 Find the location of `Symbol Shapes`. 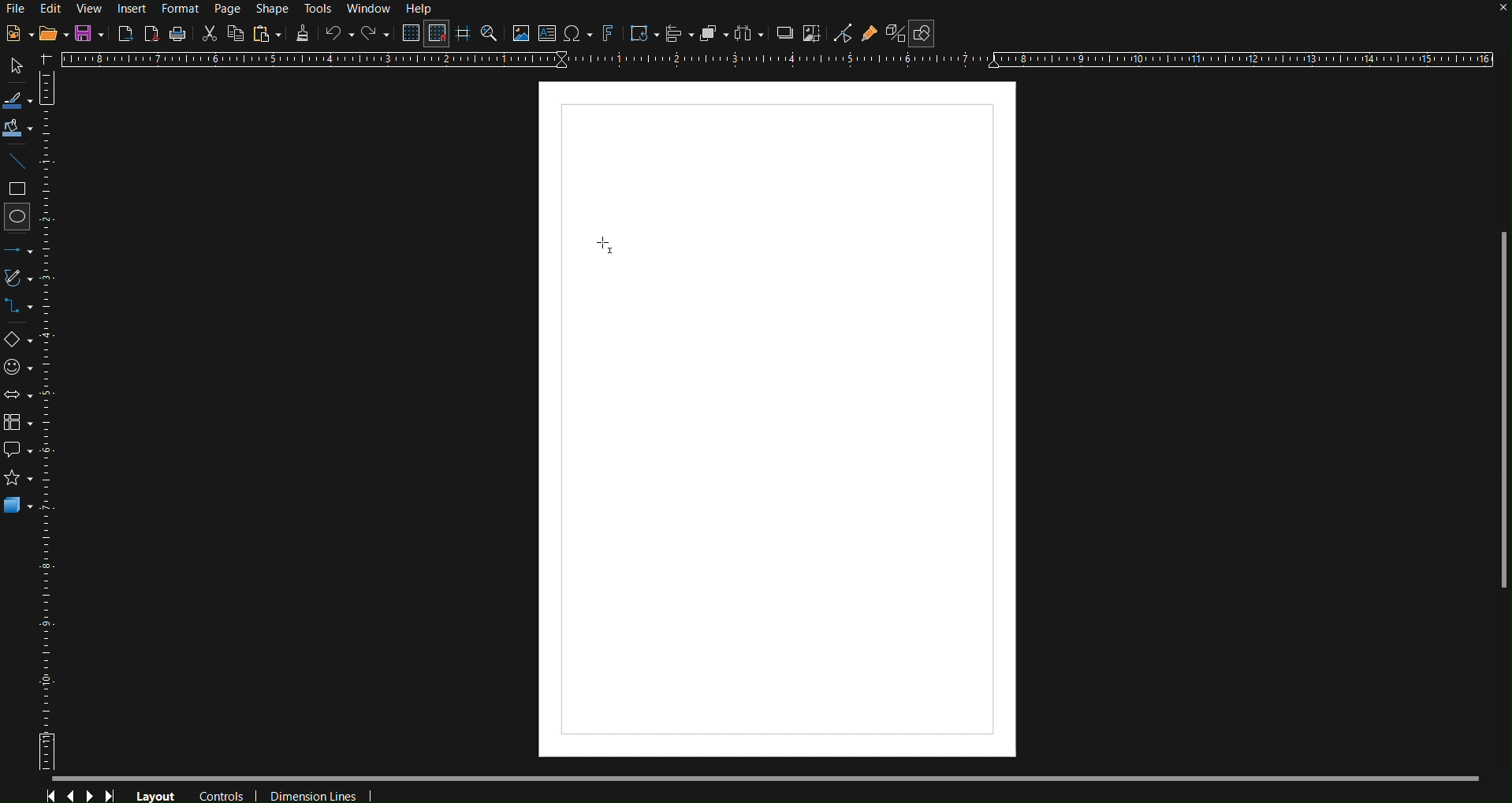

Symbol Shapes is located at coordinates (22, 367).